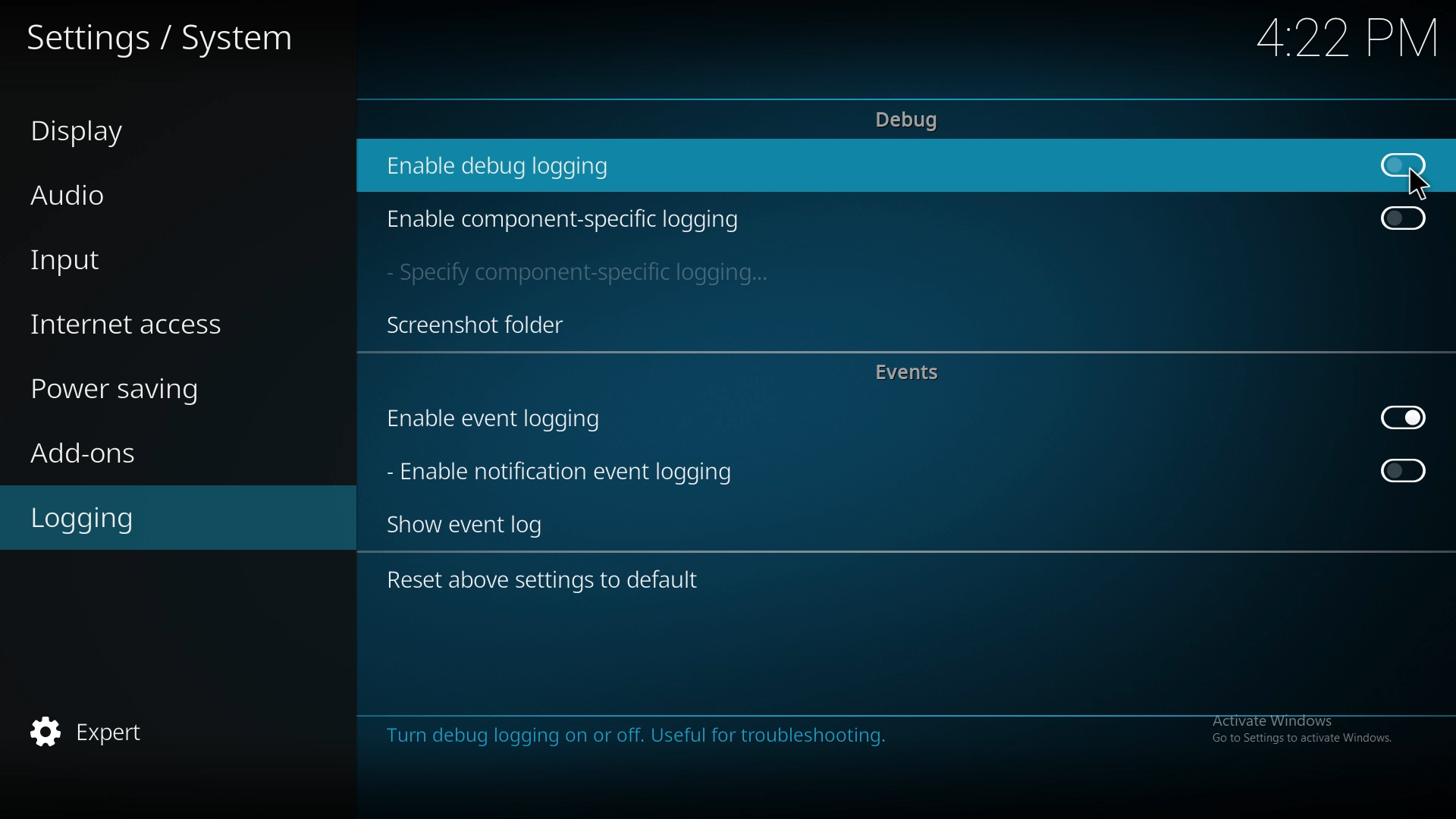  Describe the element at coordinates (151, 519) in the screenshot. I see `logging` at that location.